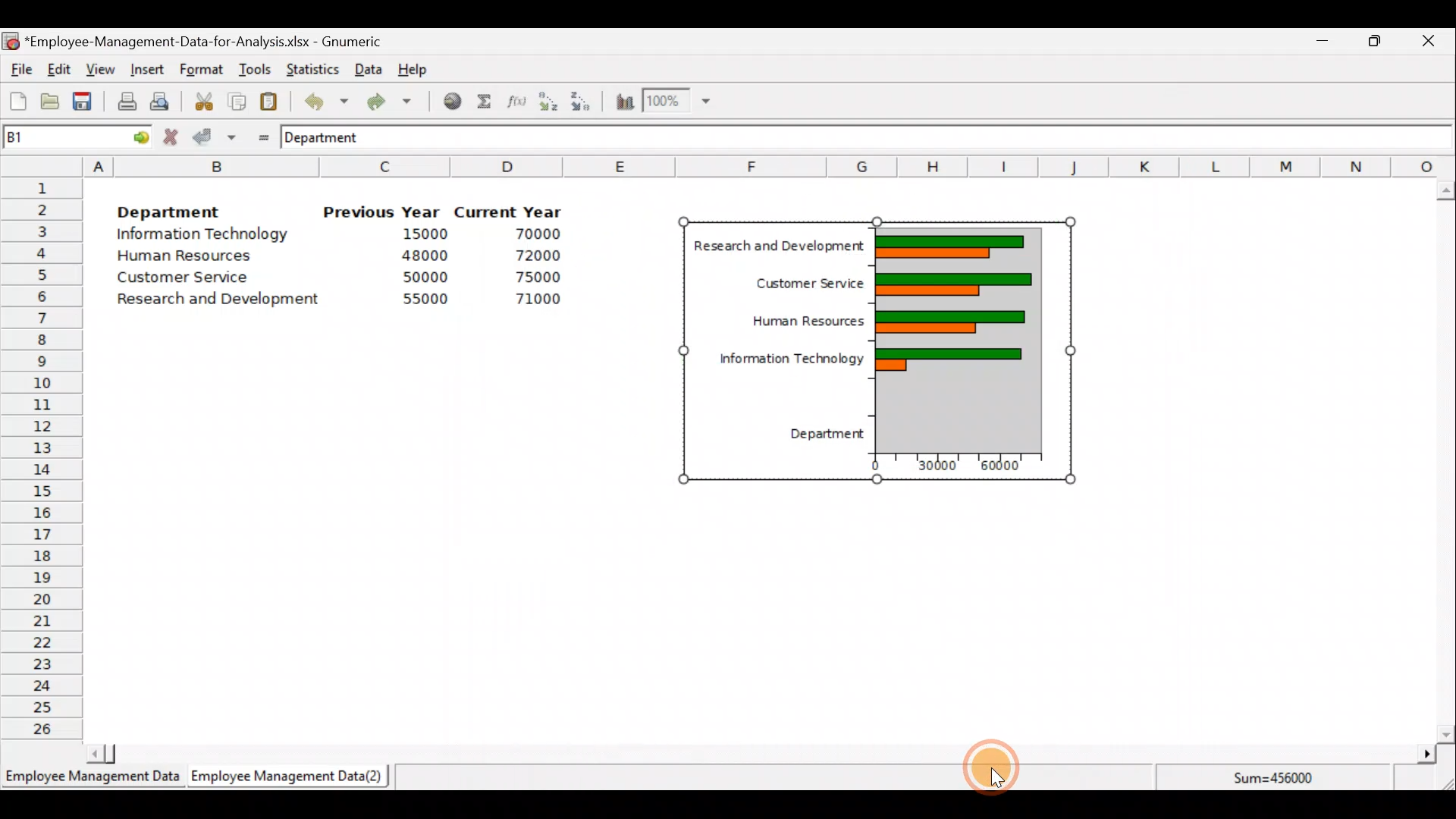  What do you see at coordinates (331, 136) in the screenshot?
I see `Department` at bounding box center [331, 136].